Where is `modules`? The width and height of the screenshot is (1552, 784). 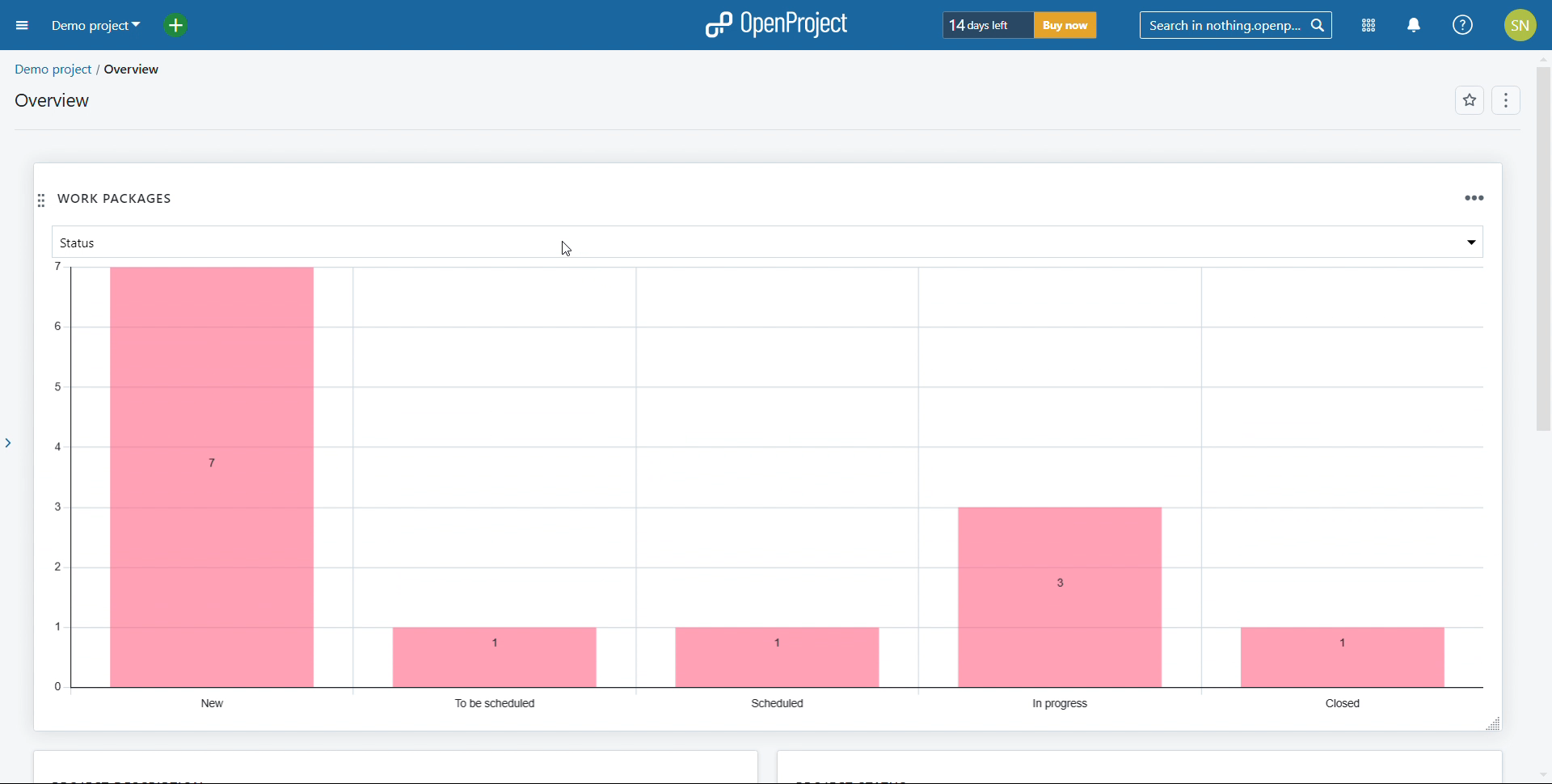
modules is located at coordinates (1368, 27).